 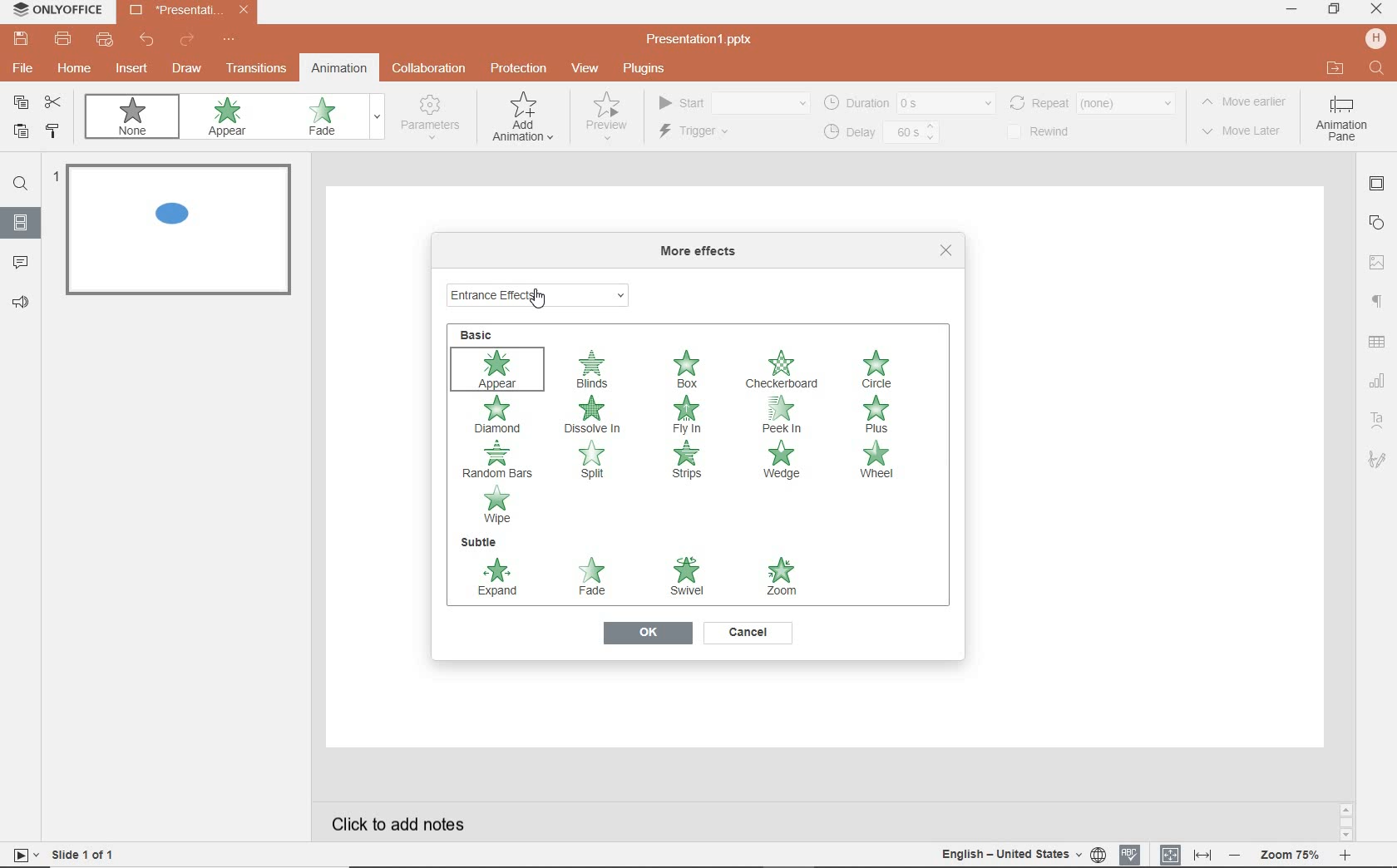 What do you see at coordinates (331, 118) in the screenshot?
I see `fade` at bounding box center [331, 118].